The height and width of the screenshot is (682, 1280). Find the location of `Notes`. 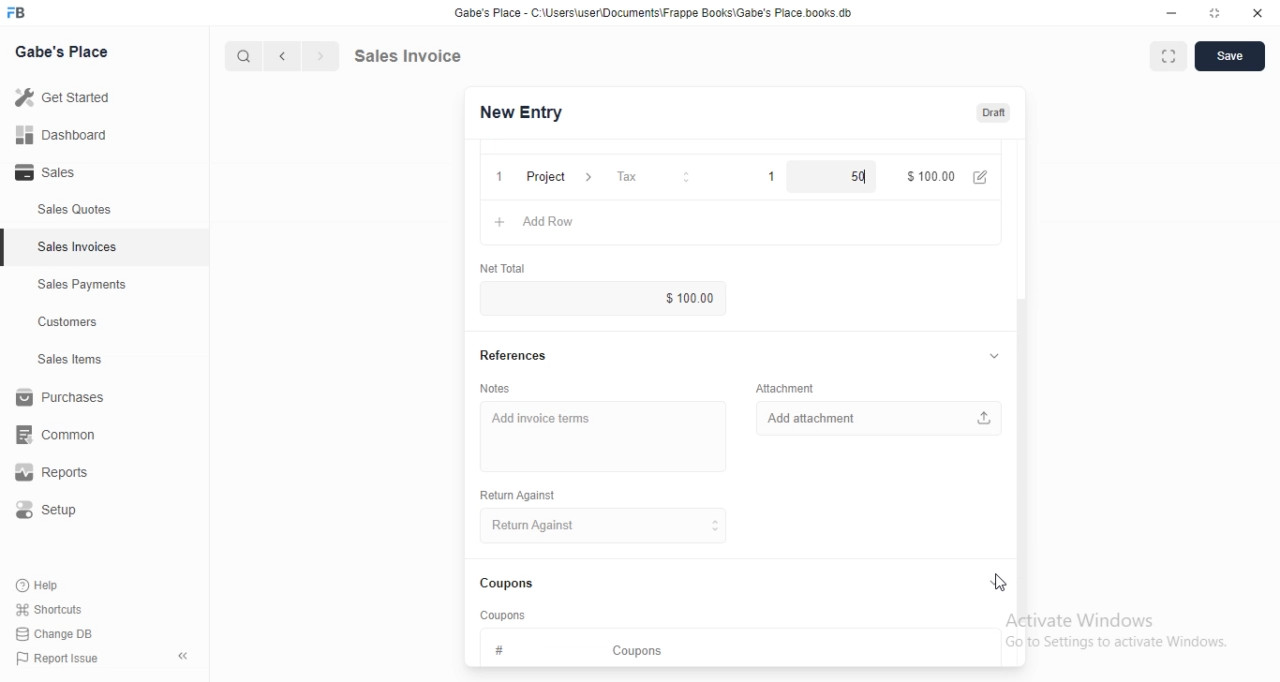

Notes is located at coordinates (502, 388).